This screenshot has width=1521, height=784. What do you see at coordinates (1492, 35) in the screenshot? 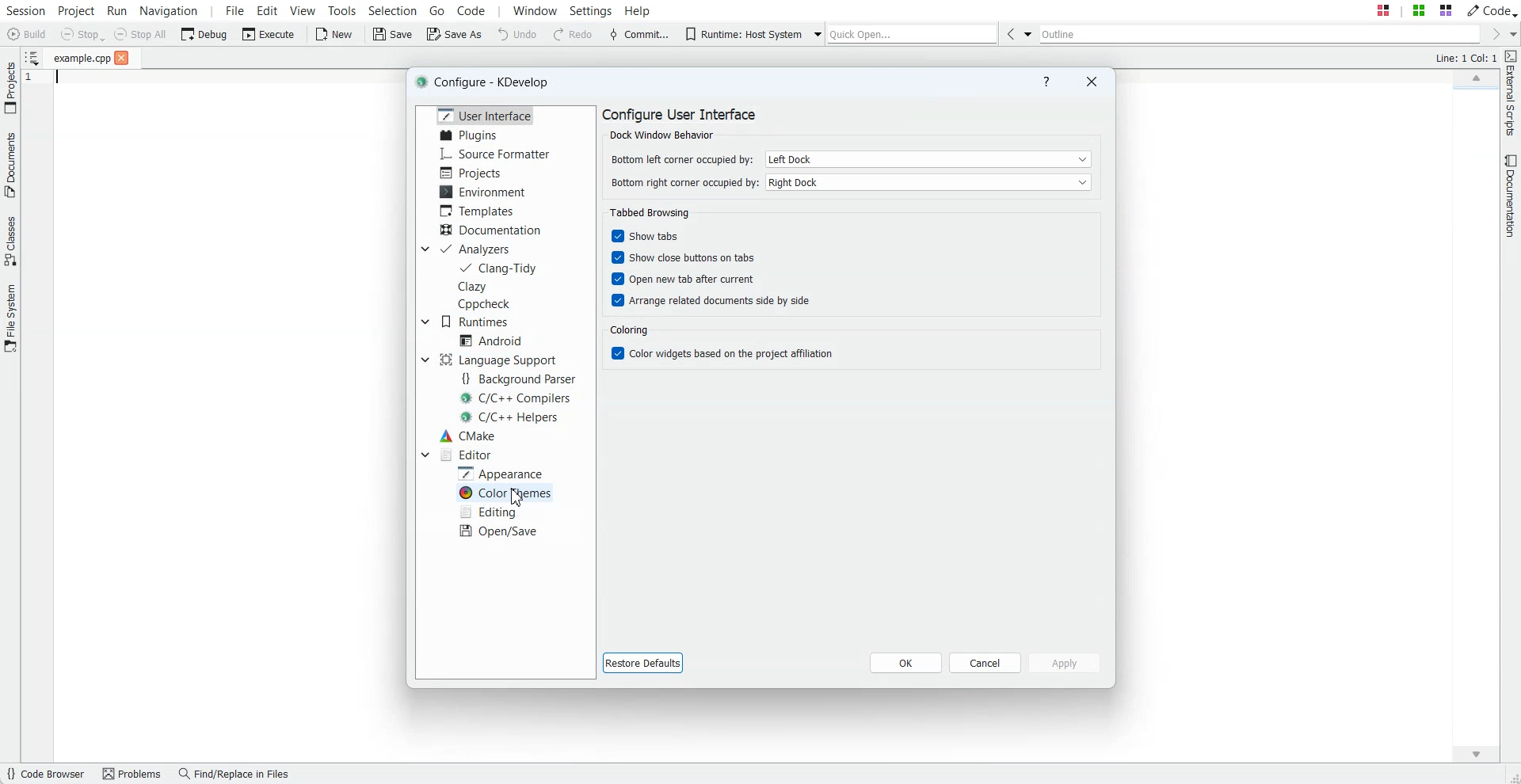
I see `Go Forward` at bounding box center [1492, 35].